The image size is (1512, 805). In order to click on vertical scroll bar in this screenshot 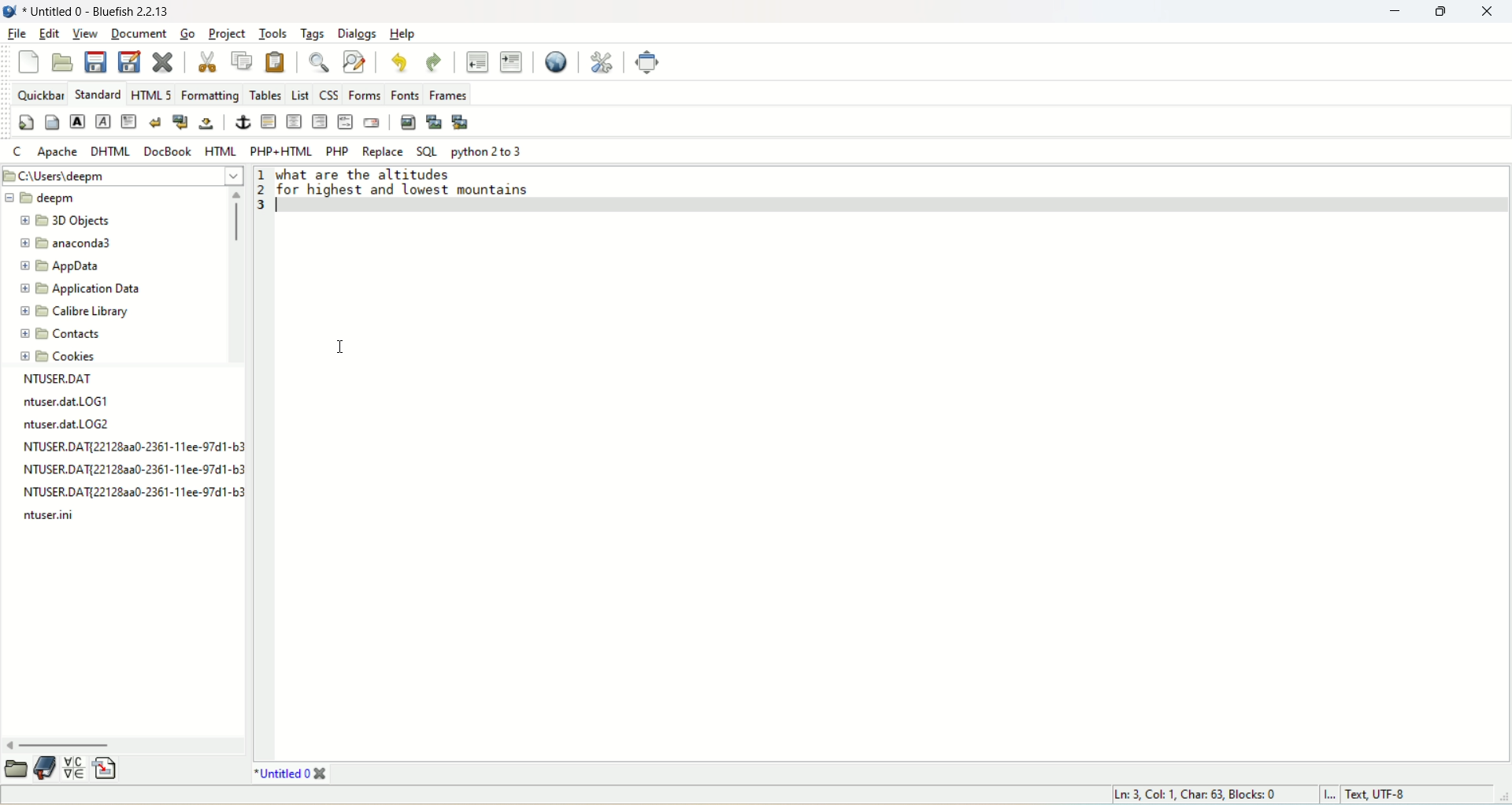, I will do `click(232, 276)`.